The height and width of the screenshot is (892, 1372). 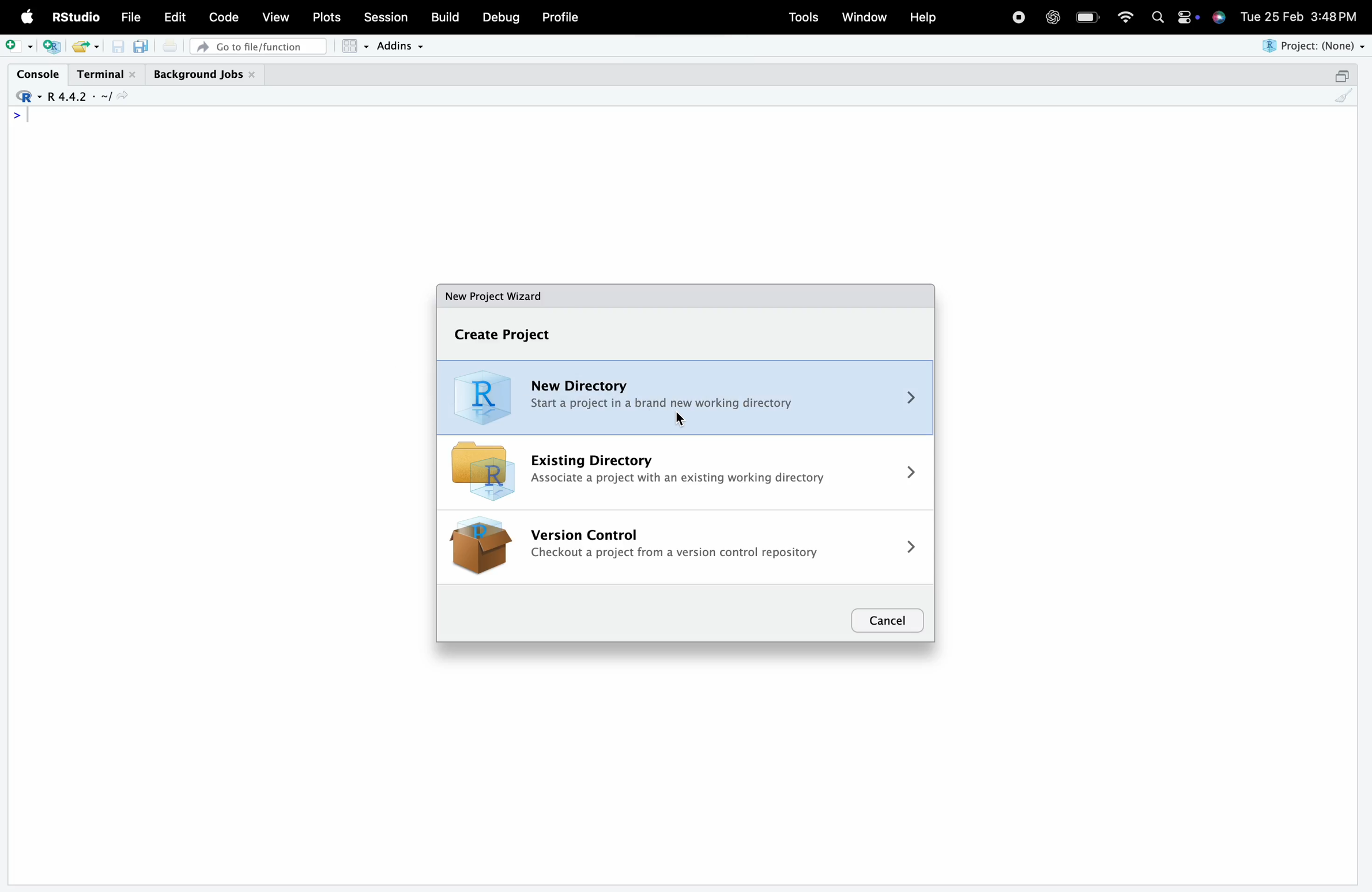 I want to click on Existing Directory Associate a project with an existing working directory, so click(x=687, y=472).